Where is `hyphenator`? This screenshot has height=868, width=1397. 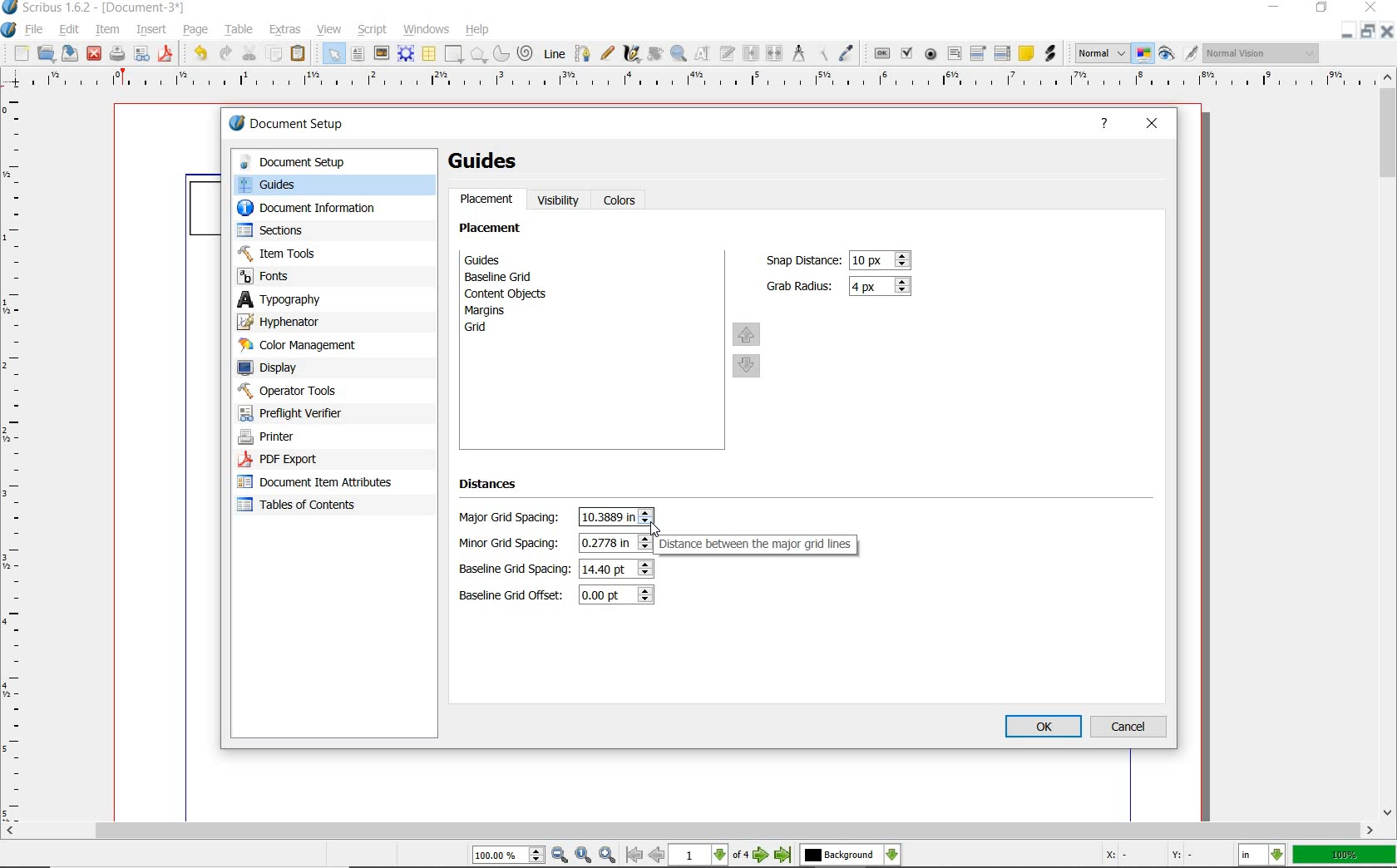
hyphenator is located at coordinates (324, 323).